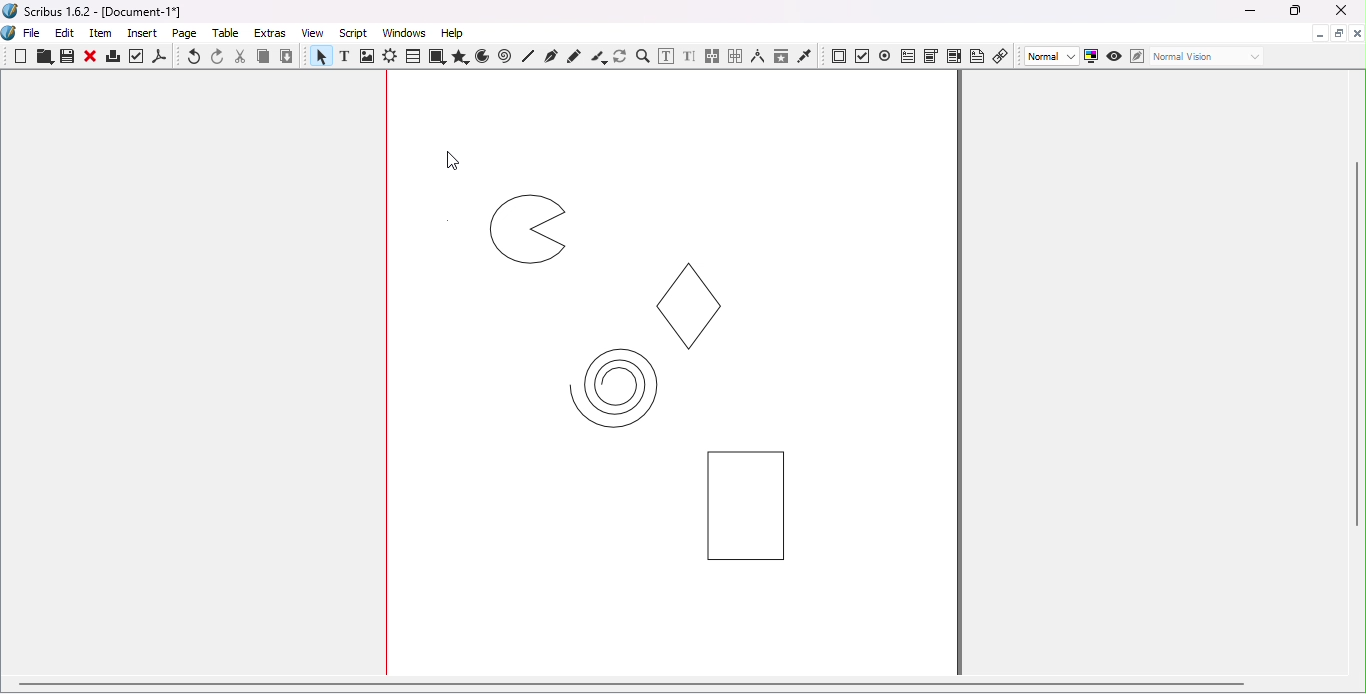 This screenshot has width=1366, height=694. I want to click on Text frame, so click(348, 58).